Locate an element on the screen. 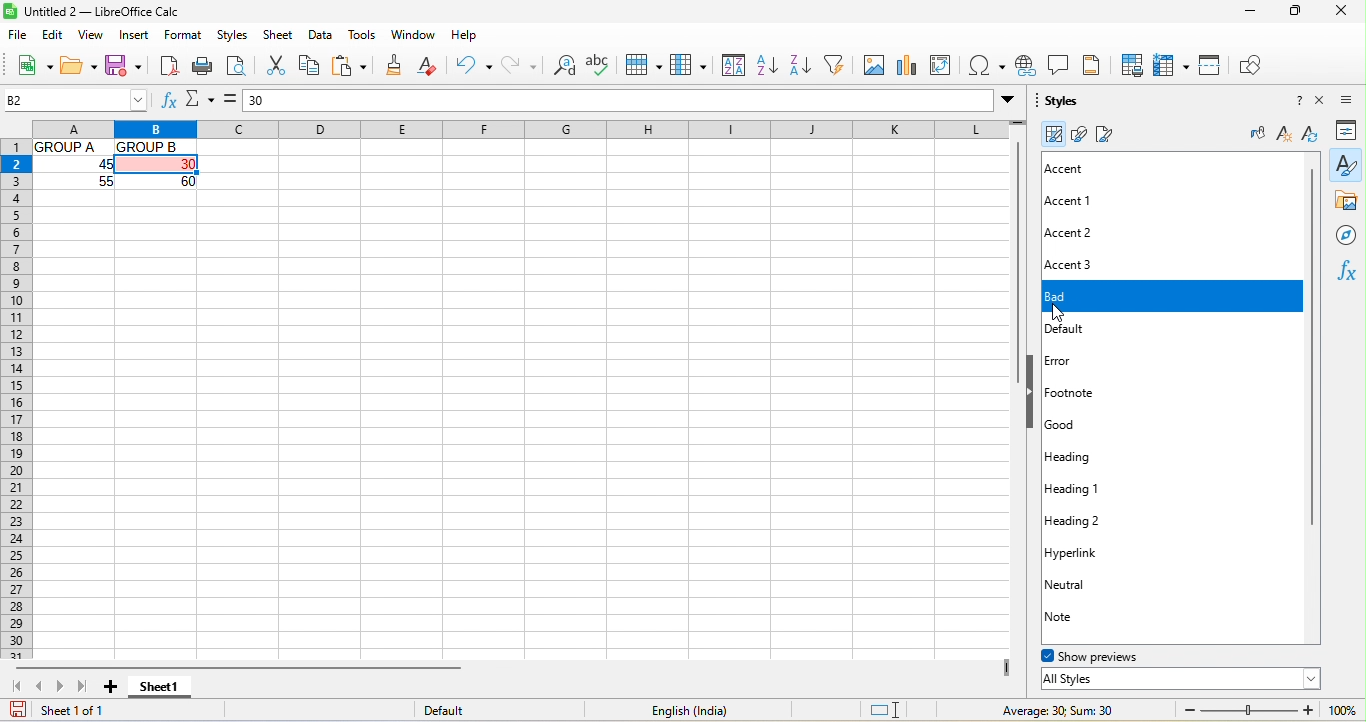 The width and height of the screenshot is (1366, 722). 55 is located at coordinates (99, 183).